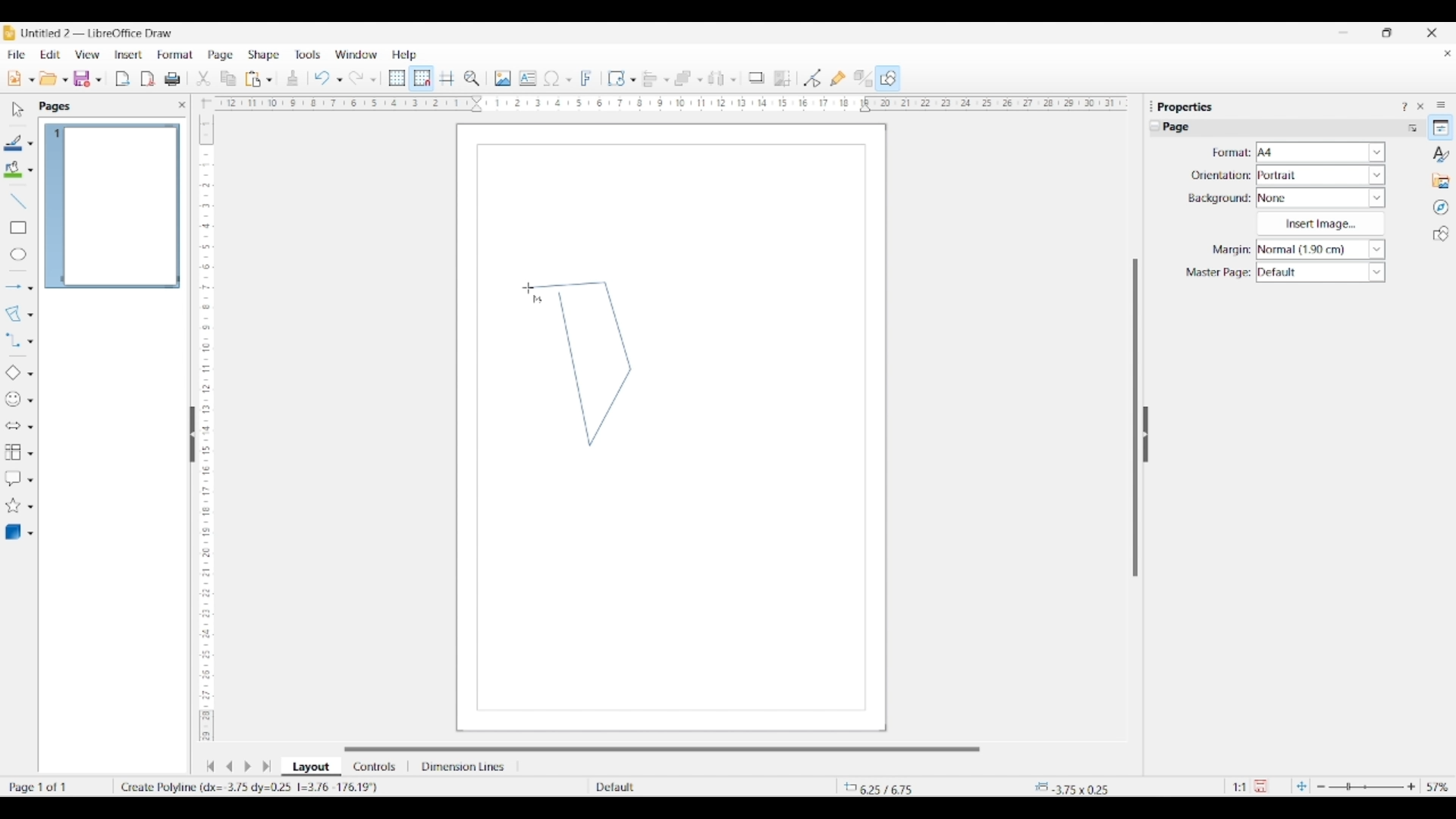  What do you see at coordinates (1412, 127) in the screenshot?
I see `More options` at bounding box center [1412, 127].